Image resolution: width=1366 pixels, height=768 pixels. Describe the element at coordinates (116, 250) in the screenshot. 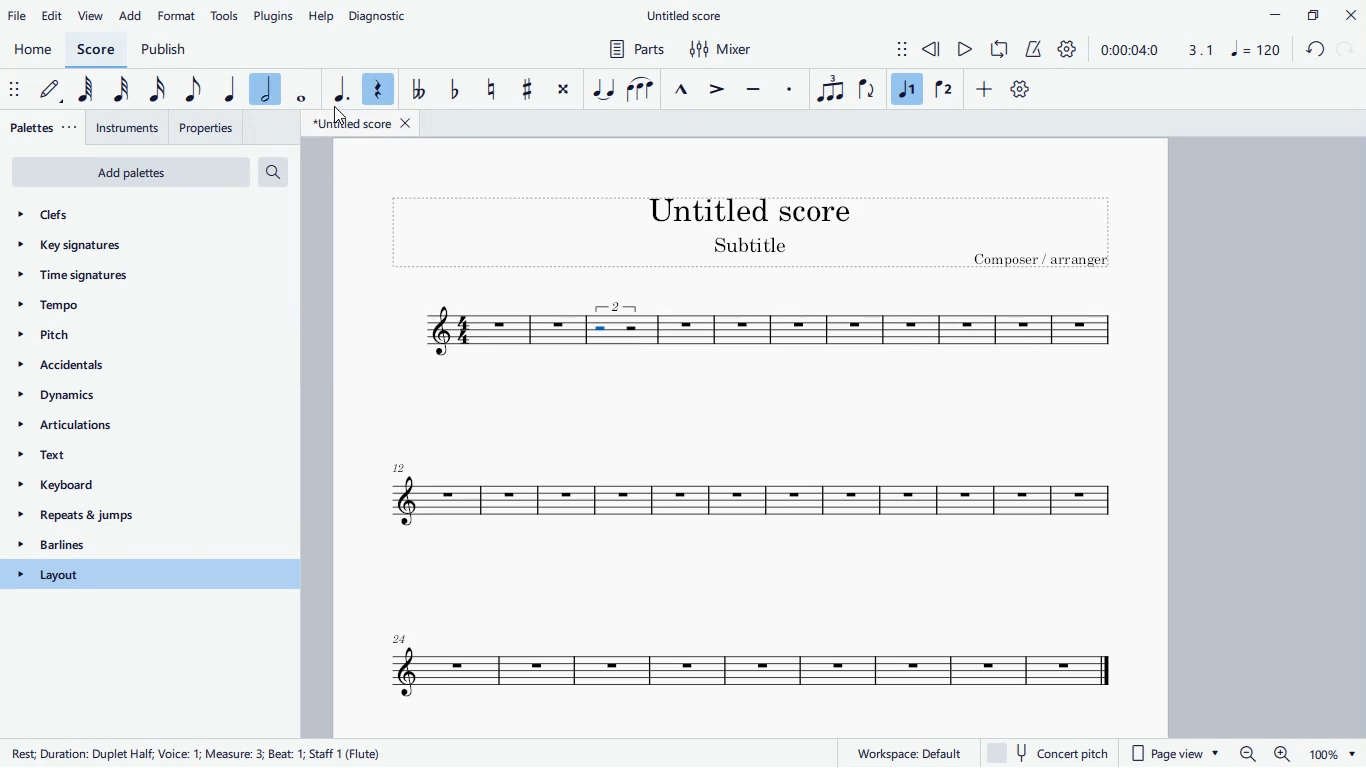

I see `key signatures` at that location.